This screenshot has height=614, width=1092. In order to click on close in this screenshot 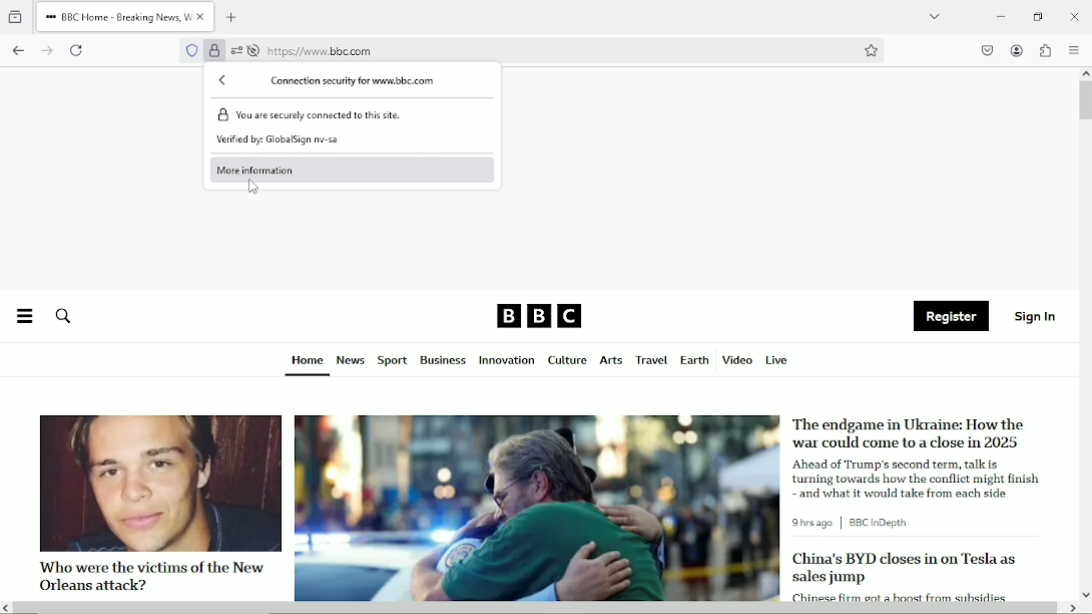, I will do `click(1074, 15)`.